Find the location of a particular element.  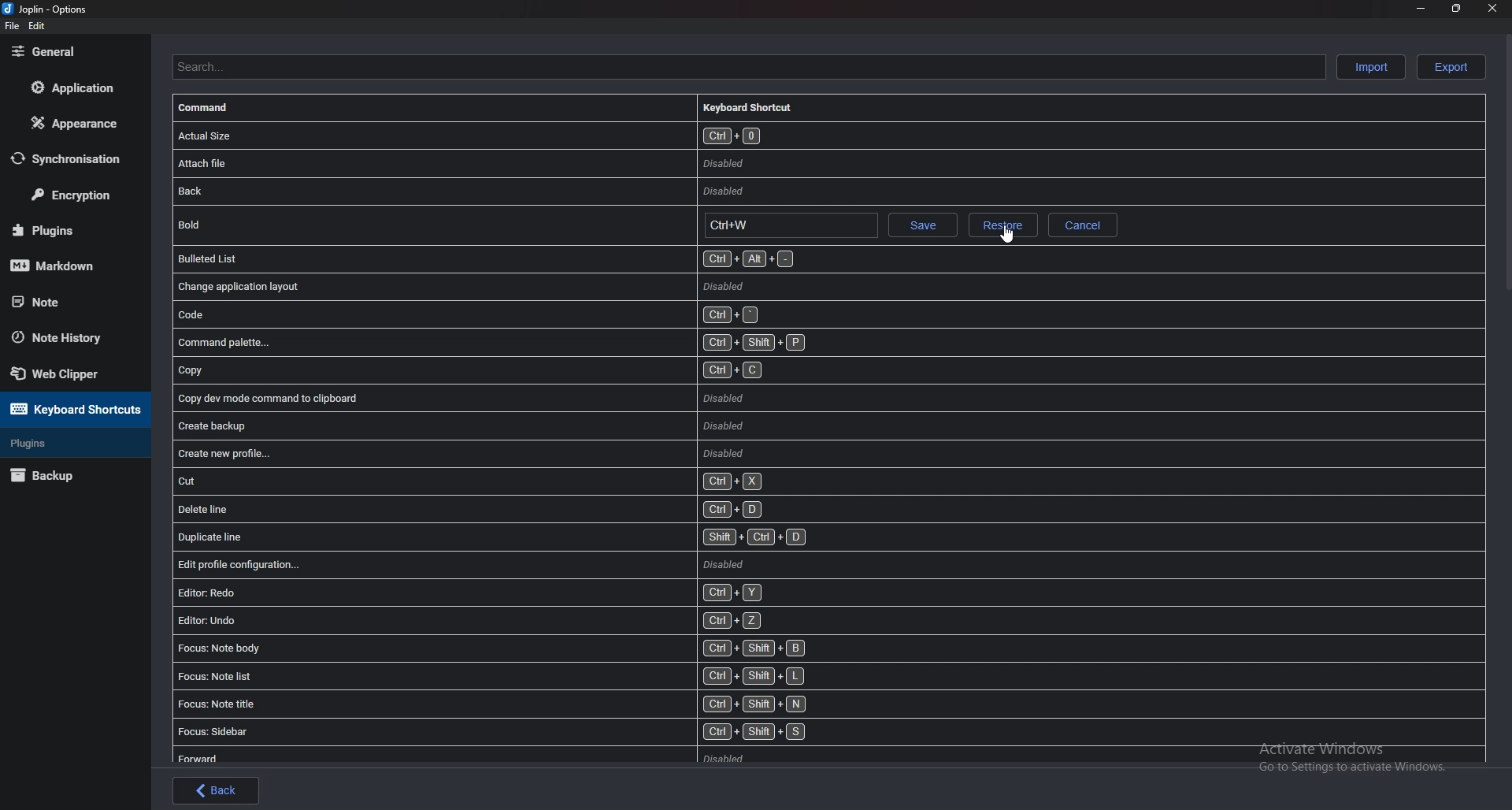

Cursor is located at coordinates (1006, 234).